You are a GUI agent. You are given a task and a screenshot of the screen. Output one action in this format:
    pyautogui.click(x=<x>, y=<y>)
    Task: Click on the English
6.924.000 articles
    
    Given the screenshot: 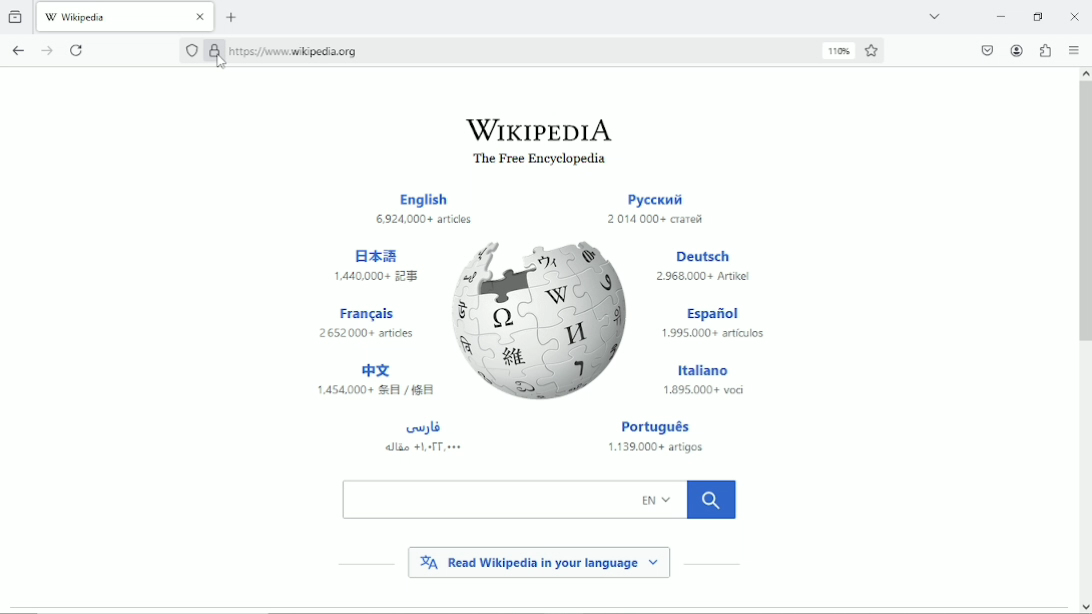 What is the action you would take?
    pyautogui.click(x=427, y=210)
    